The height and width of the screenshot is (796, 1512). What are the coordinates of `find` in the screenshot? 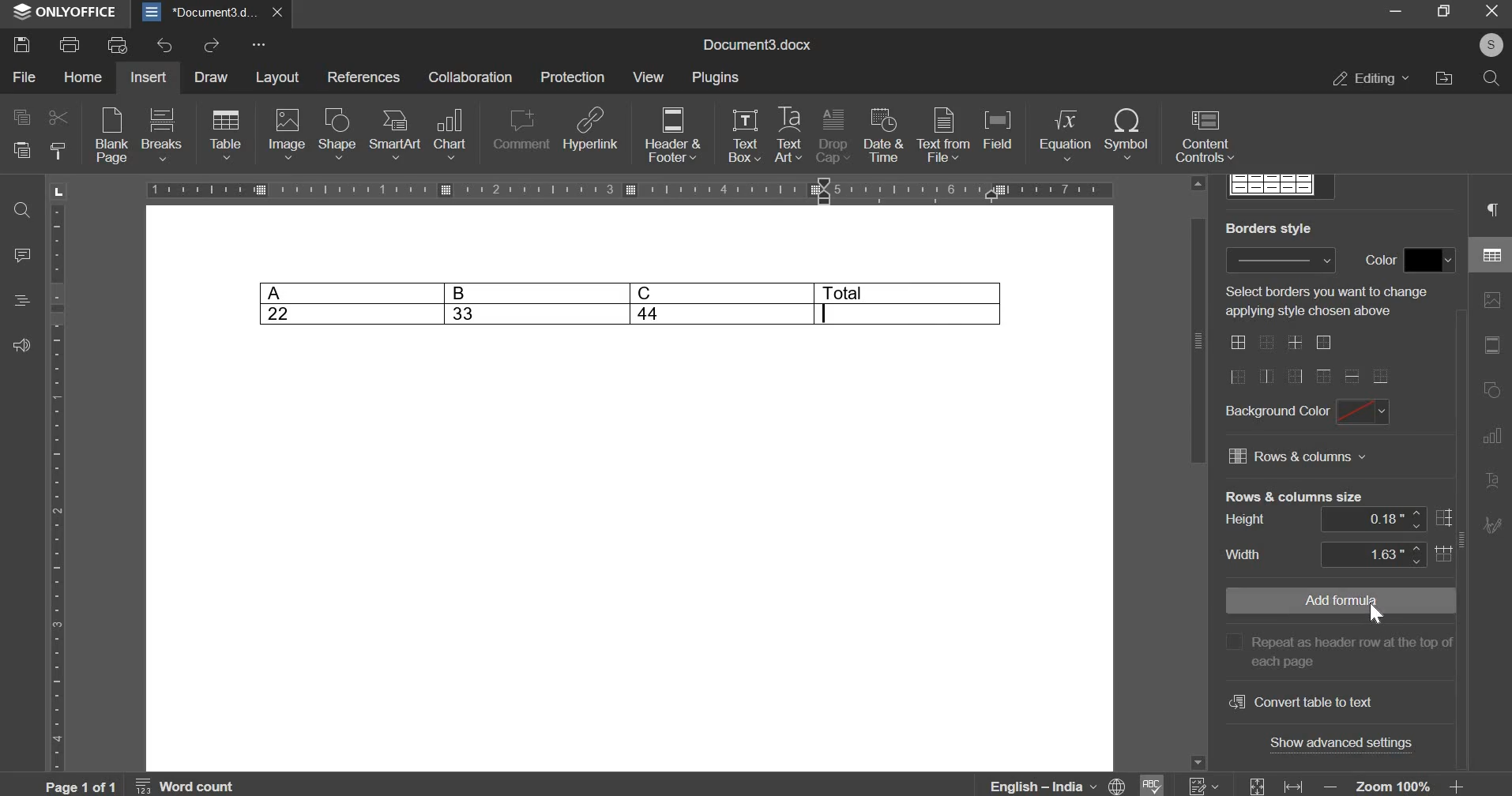 It's located at (24, 212).